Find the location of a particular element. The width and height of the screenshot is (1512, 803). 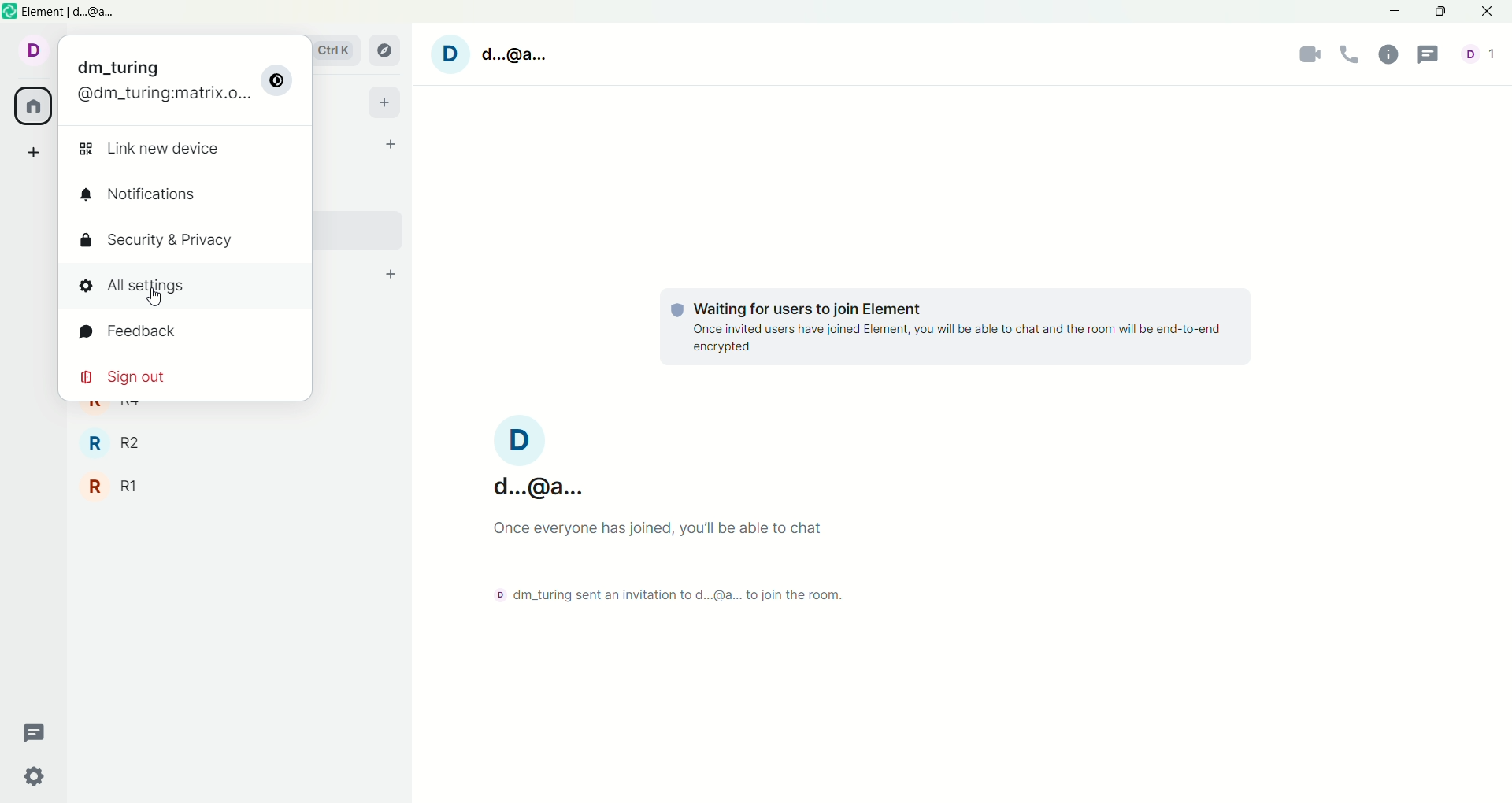

notifications is located at coordinates (147, 196).